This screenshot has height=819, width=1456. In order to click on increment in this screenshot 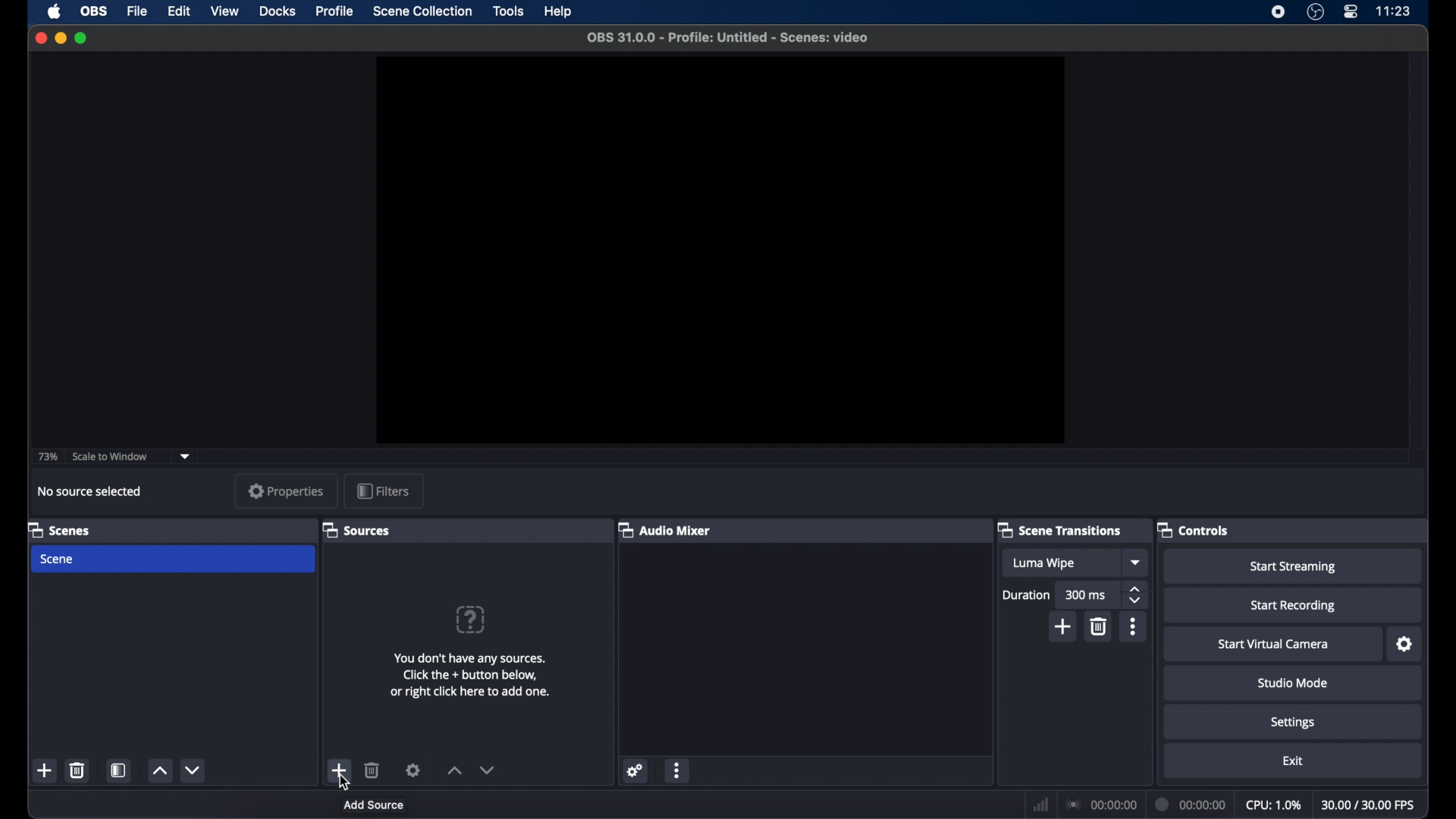, I will do `click(454, 771)`.